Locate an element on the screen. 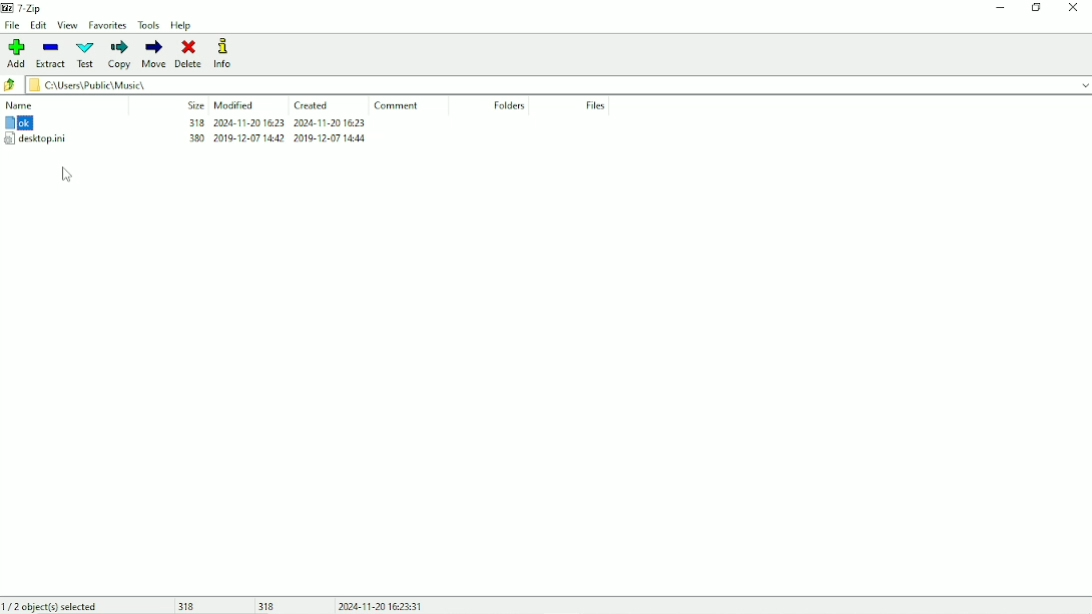 The image size is (1092, 614). Files is located at coordinates (596, 107).